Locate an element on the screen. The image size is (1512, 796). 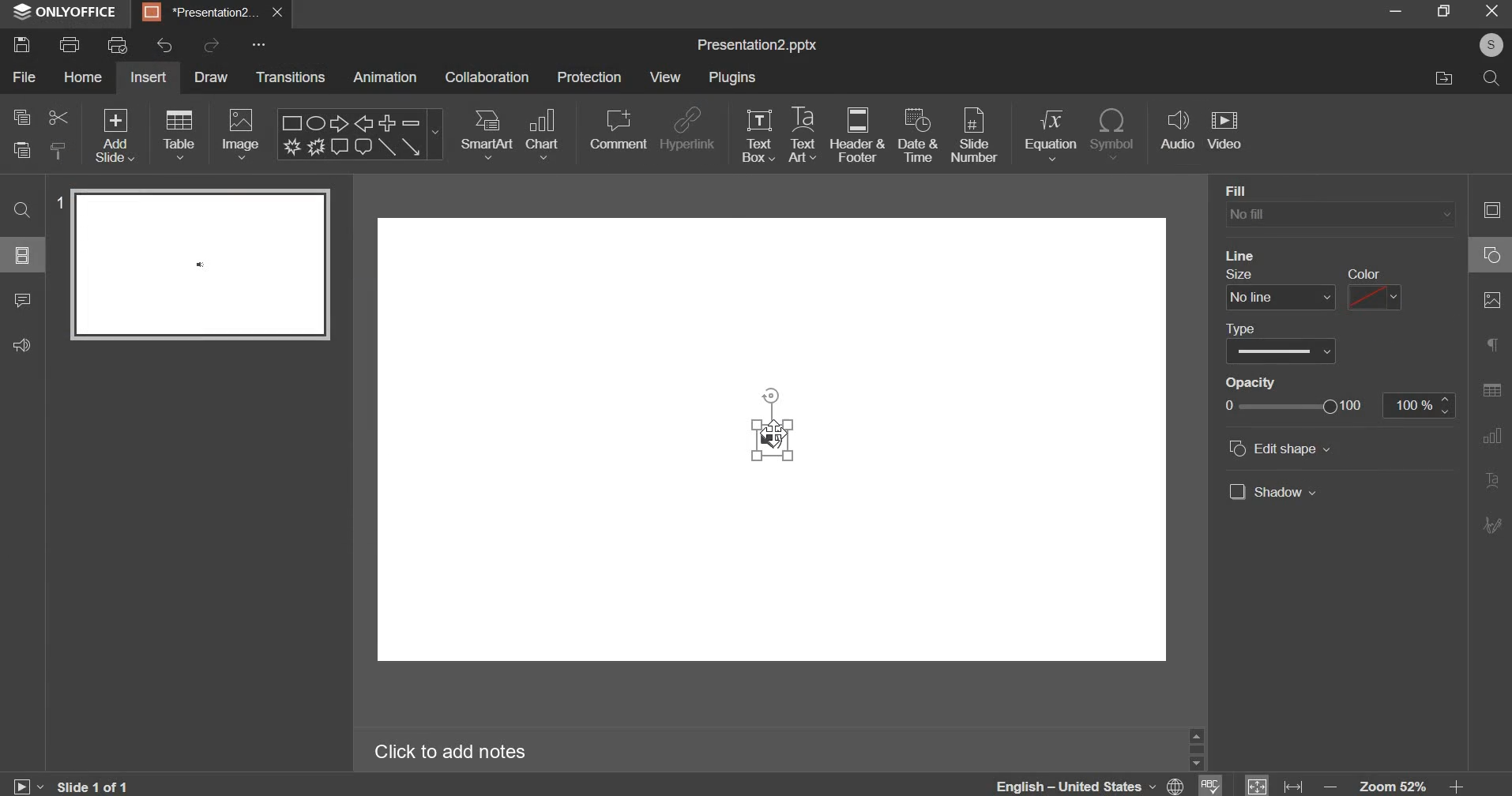
presentation2.pptx is located at coordinates (763, 46).